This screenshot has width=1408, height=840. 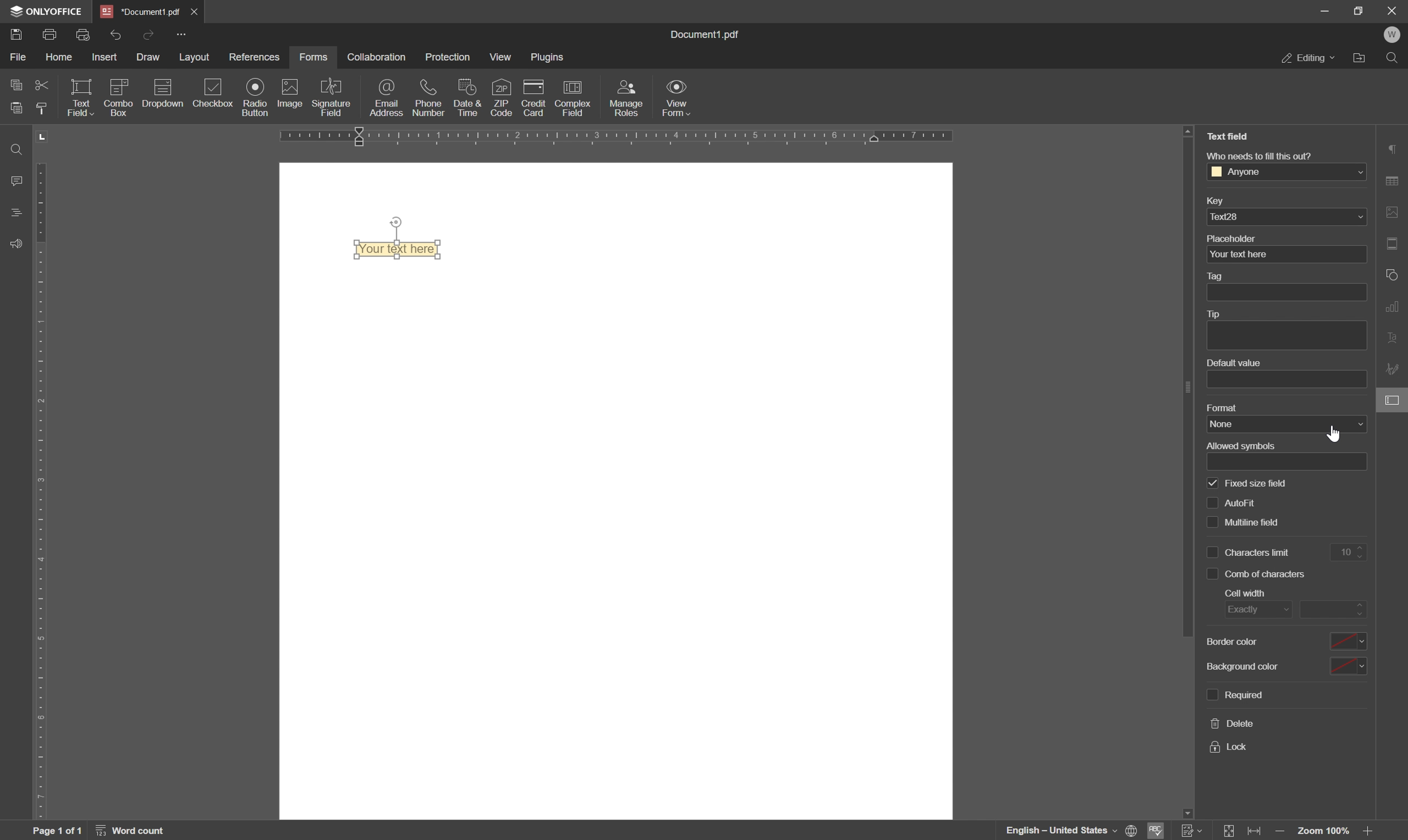 I want to click on page 1 of 1, so click(x=56, y=831).